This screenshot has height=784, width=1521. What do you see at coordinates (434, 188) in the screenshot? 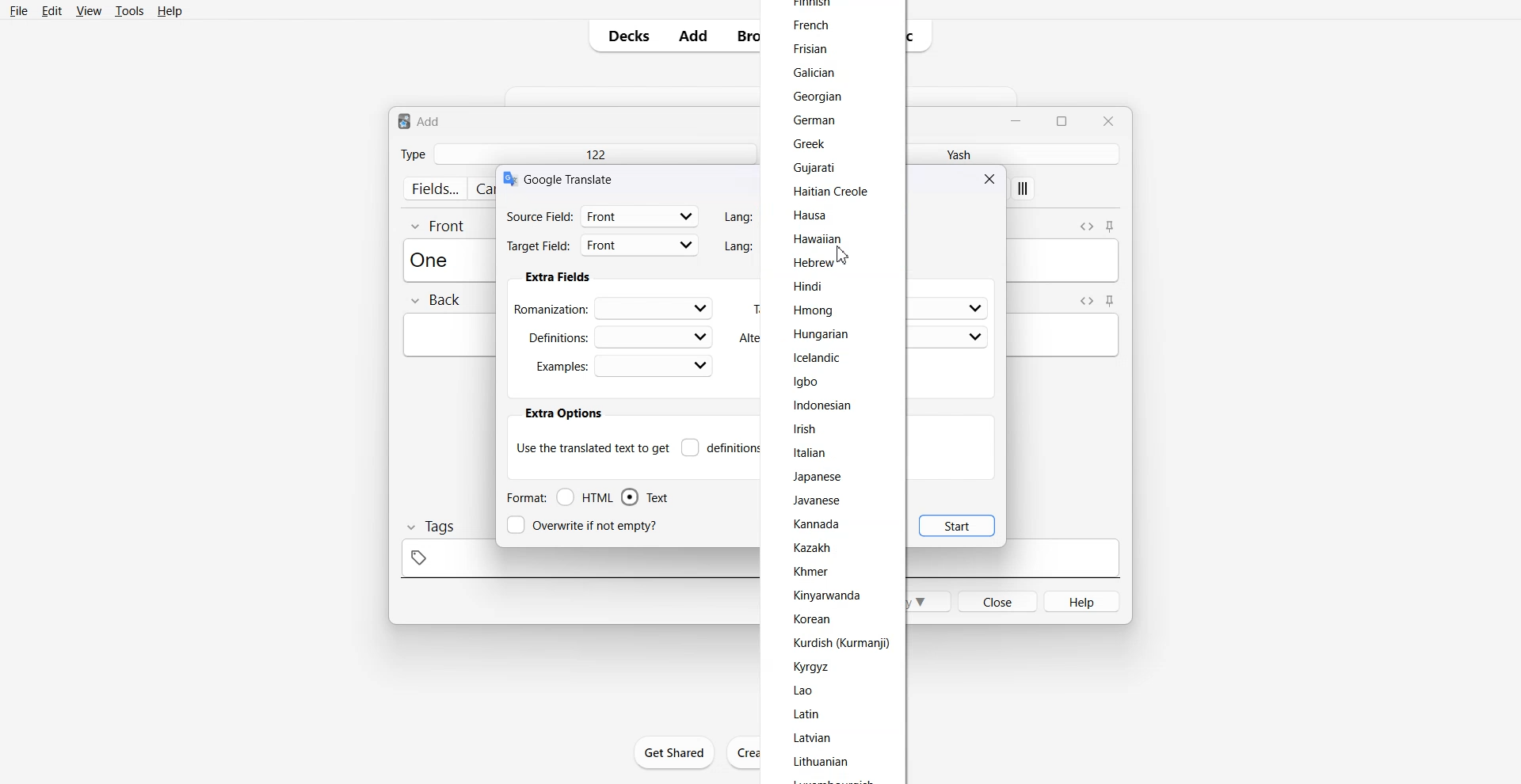
I see `fields ` at bounding box center [434, 188].